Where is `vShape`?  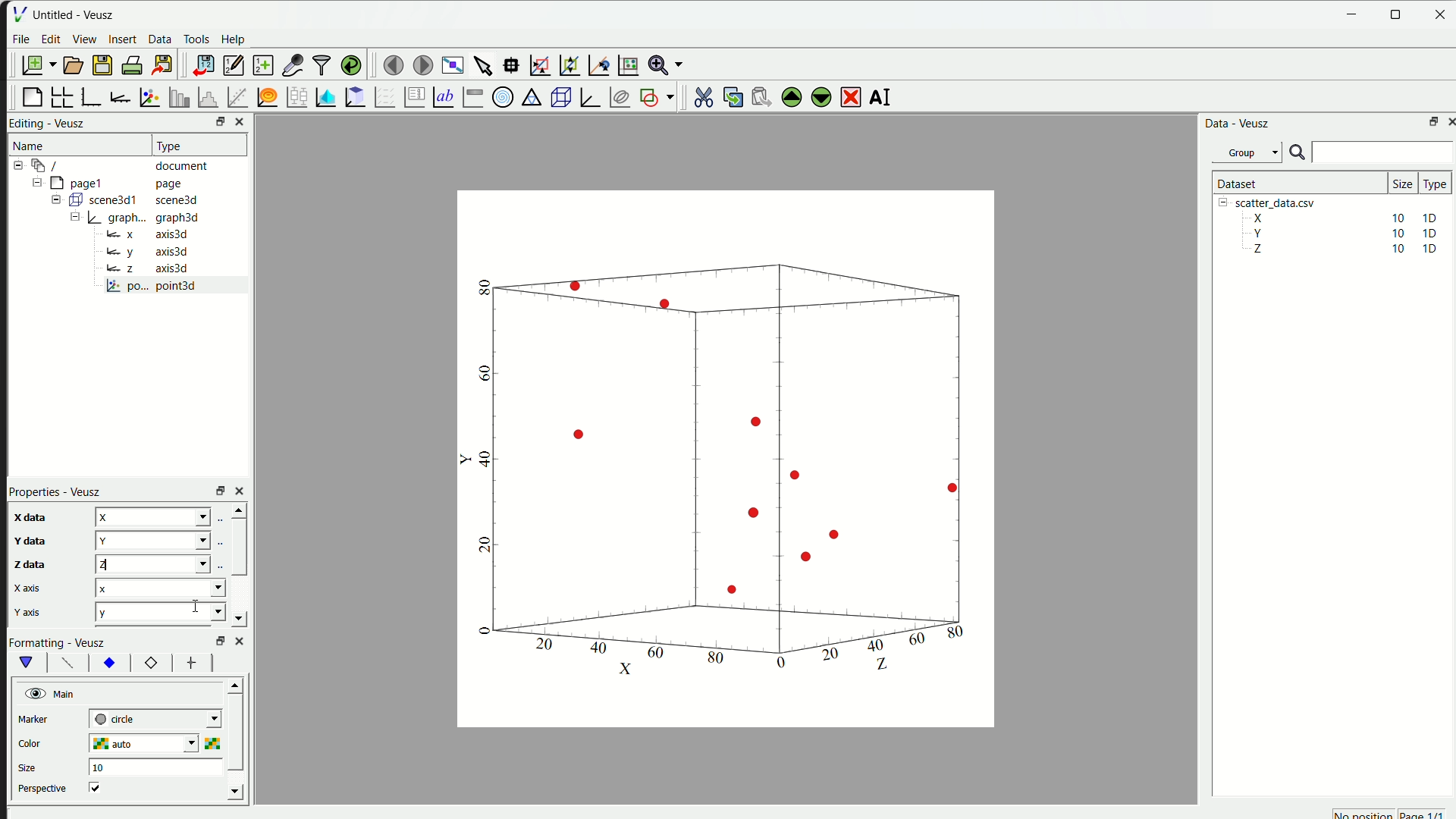
vShape is located at coordinates (27, 663).